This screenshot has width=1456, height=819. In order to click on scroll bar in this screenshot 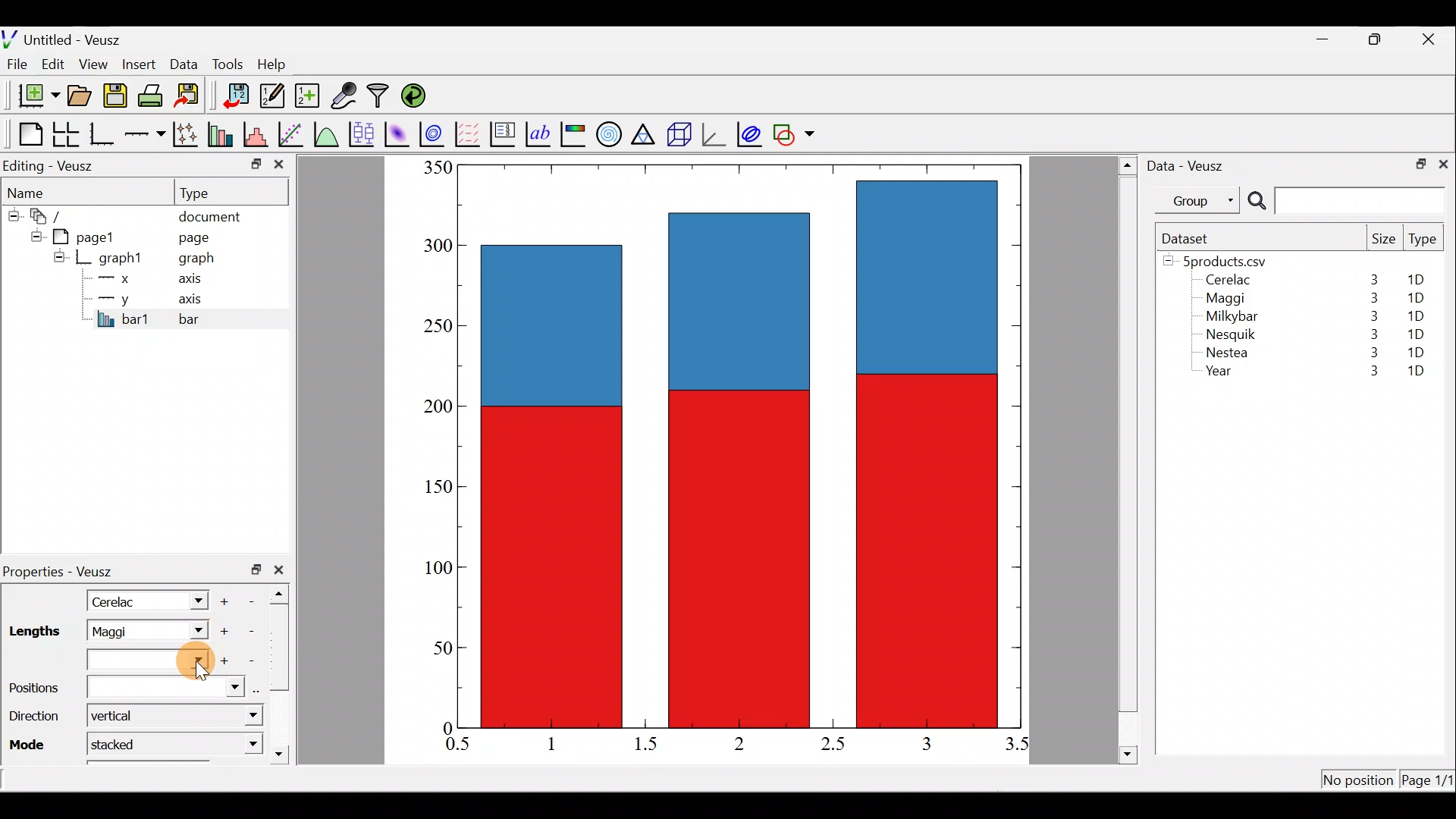, I will do `click(284, 670)`.